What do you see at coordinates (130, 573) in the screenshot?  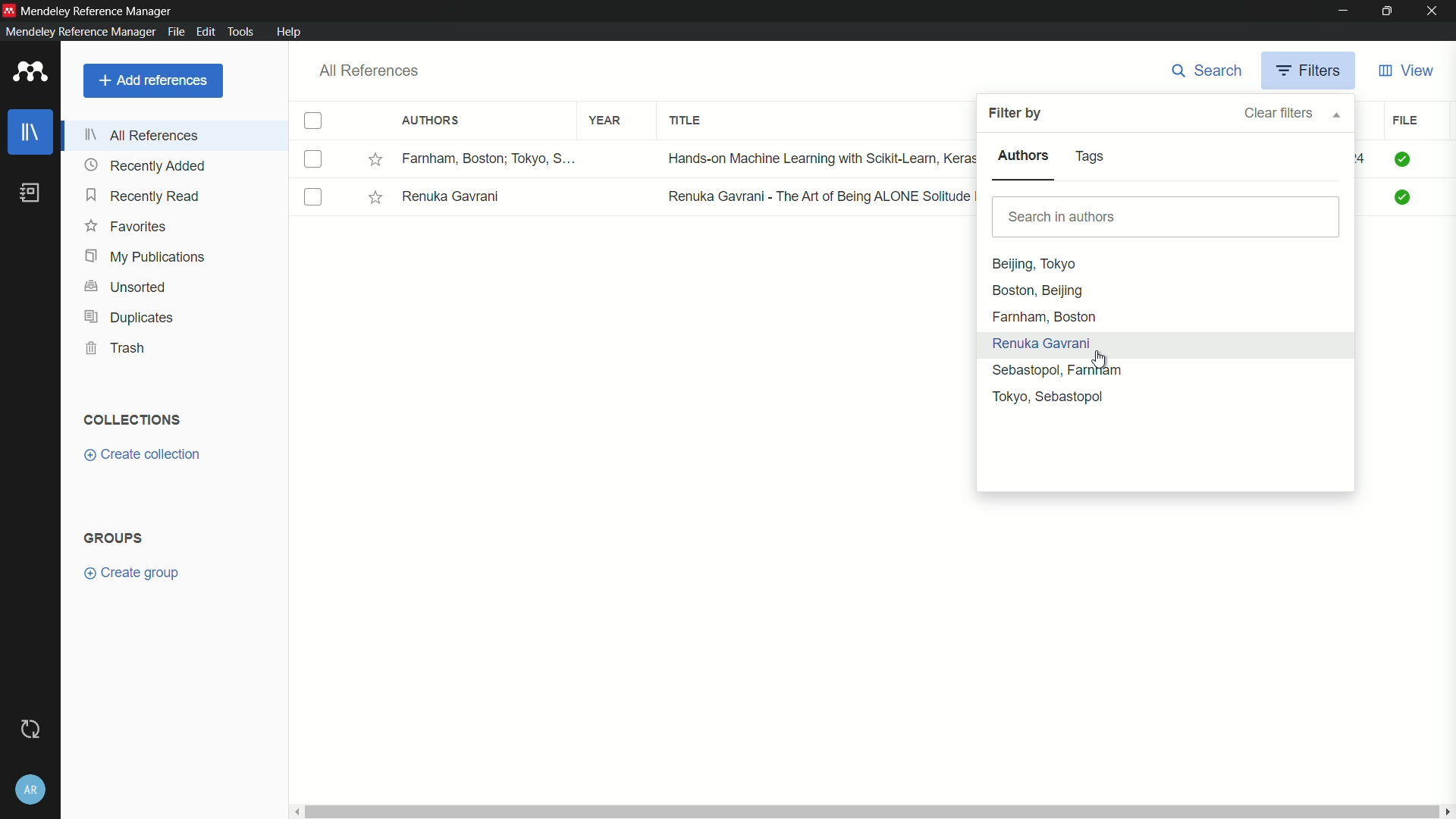 I see `create group` at bounding box center [130, 573].